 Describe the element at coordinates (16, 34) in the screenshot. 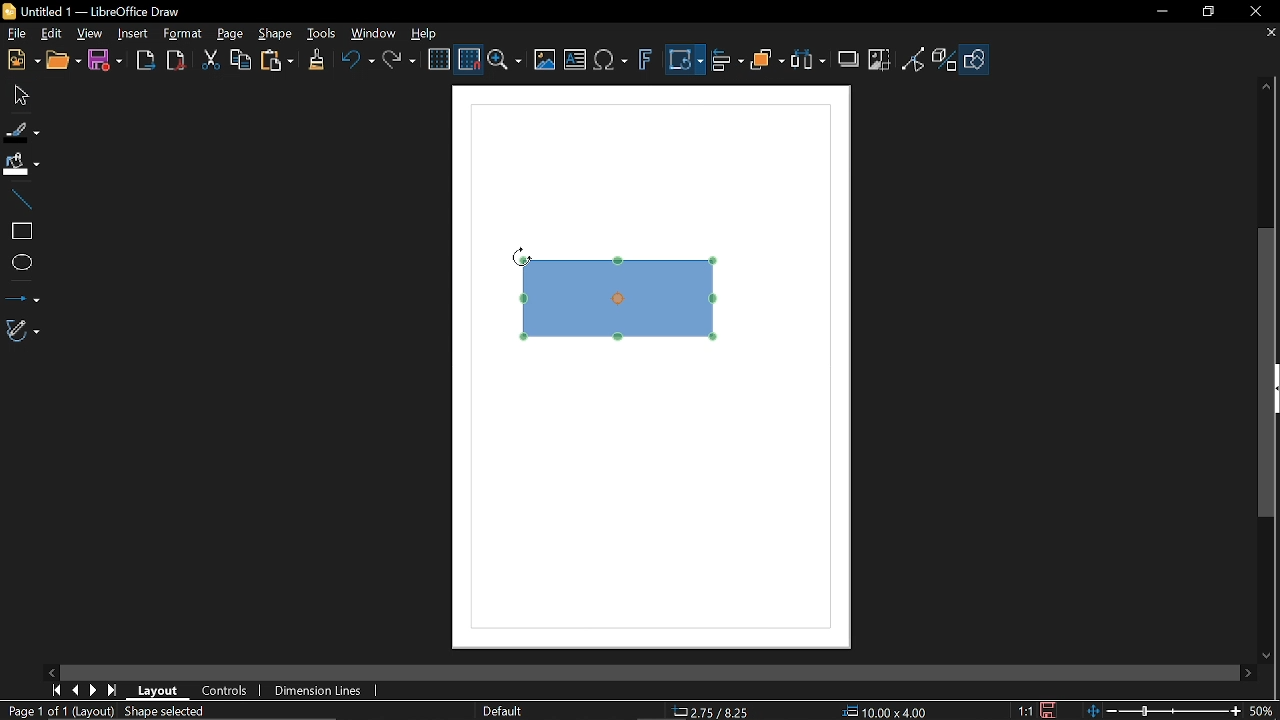

I see `File` at that location.